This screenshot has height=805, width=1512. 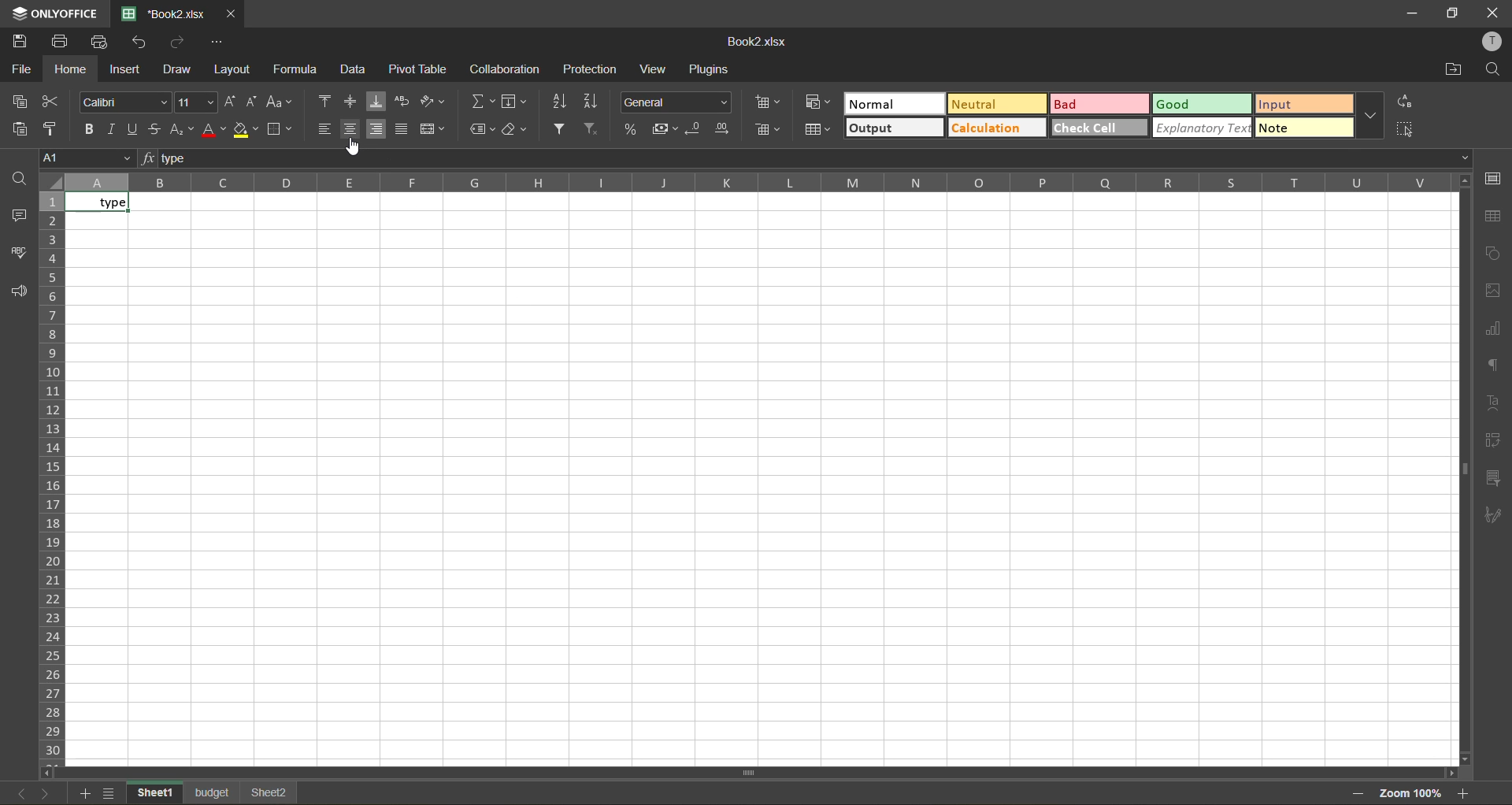 What do you see at coordinates (84, 158) in the screenshot?
I see `cell address` at bounding box center [84, 158].